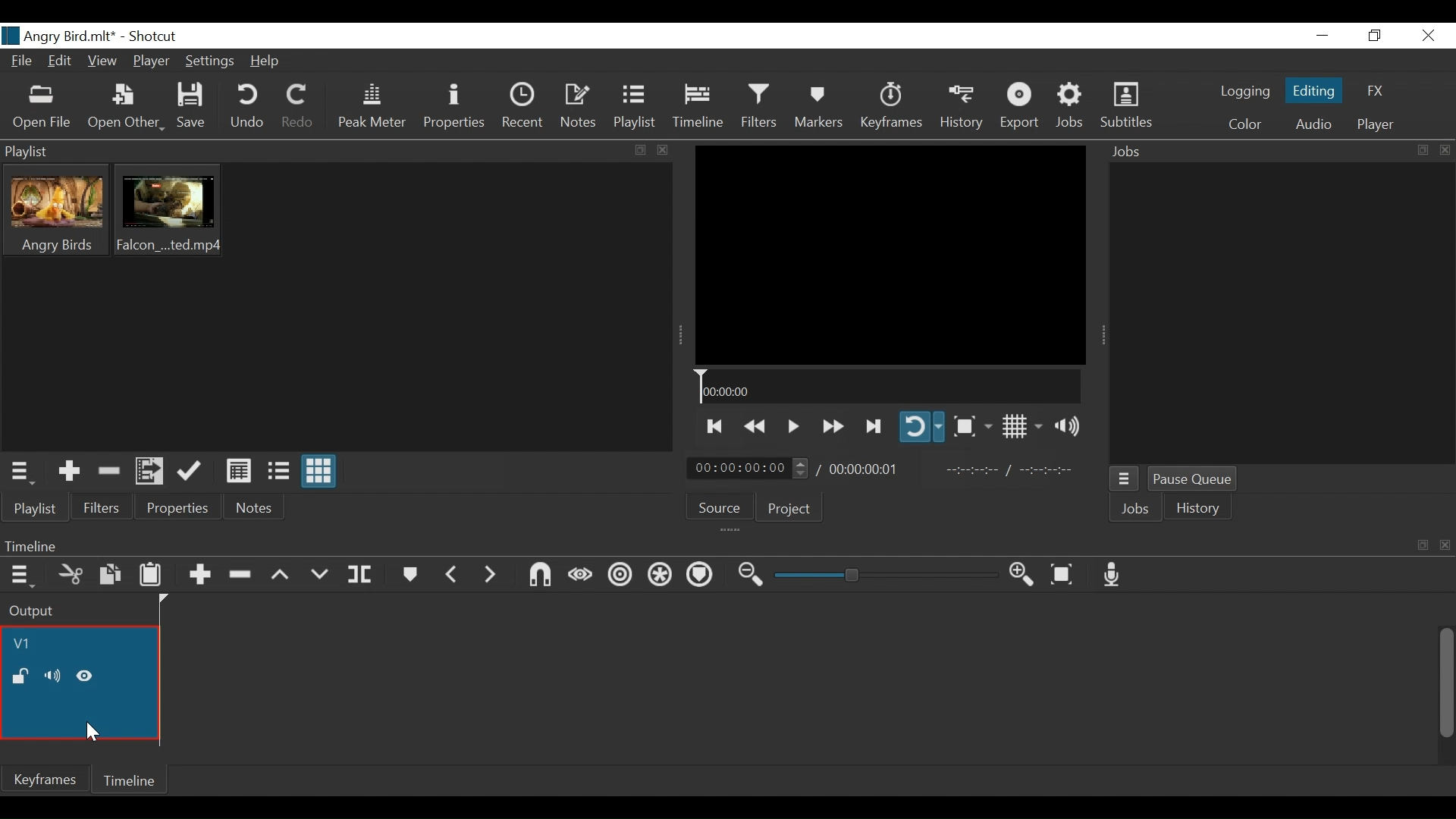 The image size is (1456, 819). I want to click on Jobs, so click(1068, 107).